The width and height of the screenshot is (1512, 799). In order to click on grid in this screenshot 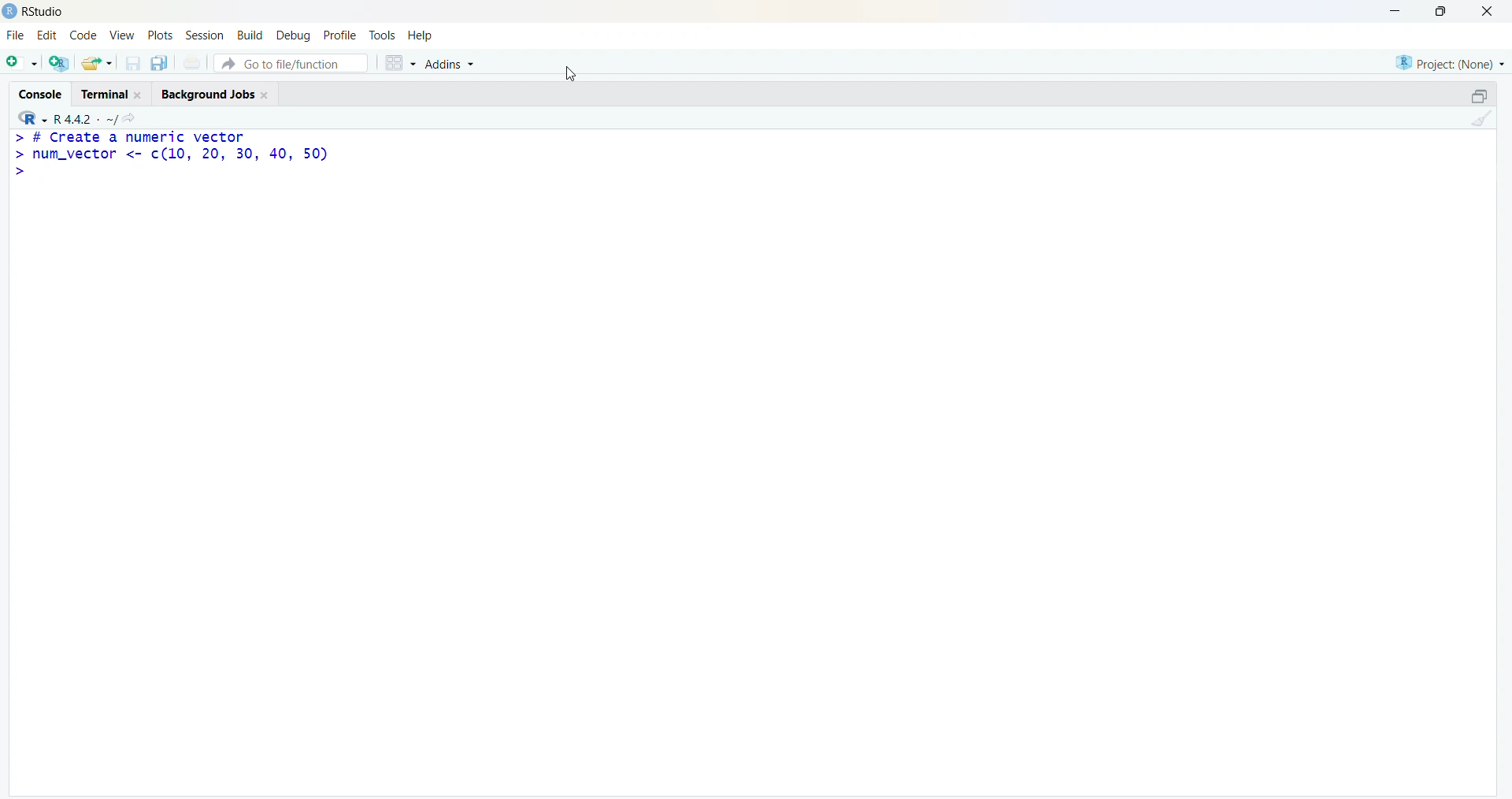, I will do `click(399, 63)`.